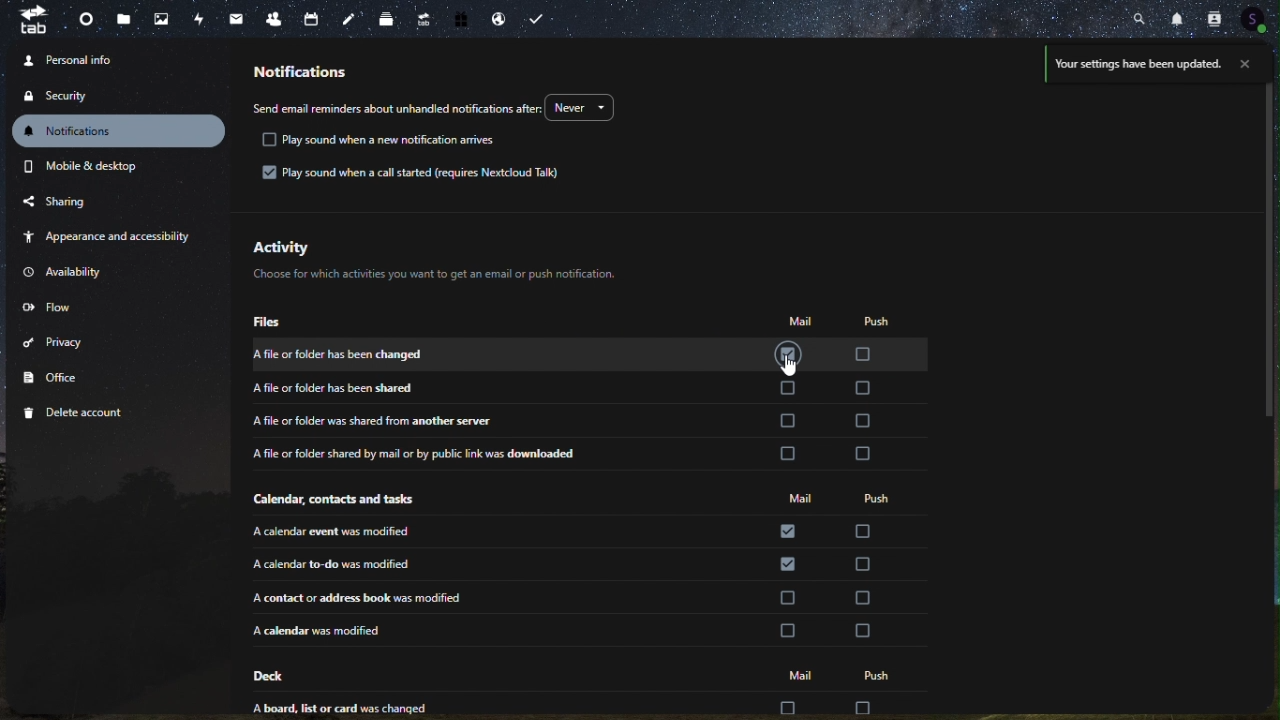 This screenshot has height=720, width=1280. What do you see at coordinates (864, 632) in the screenshot?
I see `check box` at bounding box center [864, 632].